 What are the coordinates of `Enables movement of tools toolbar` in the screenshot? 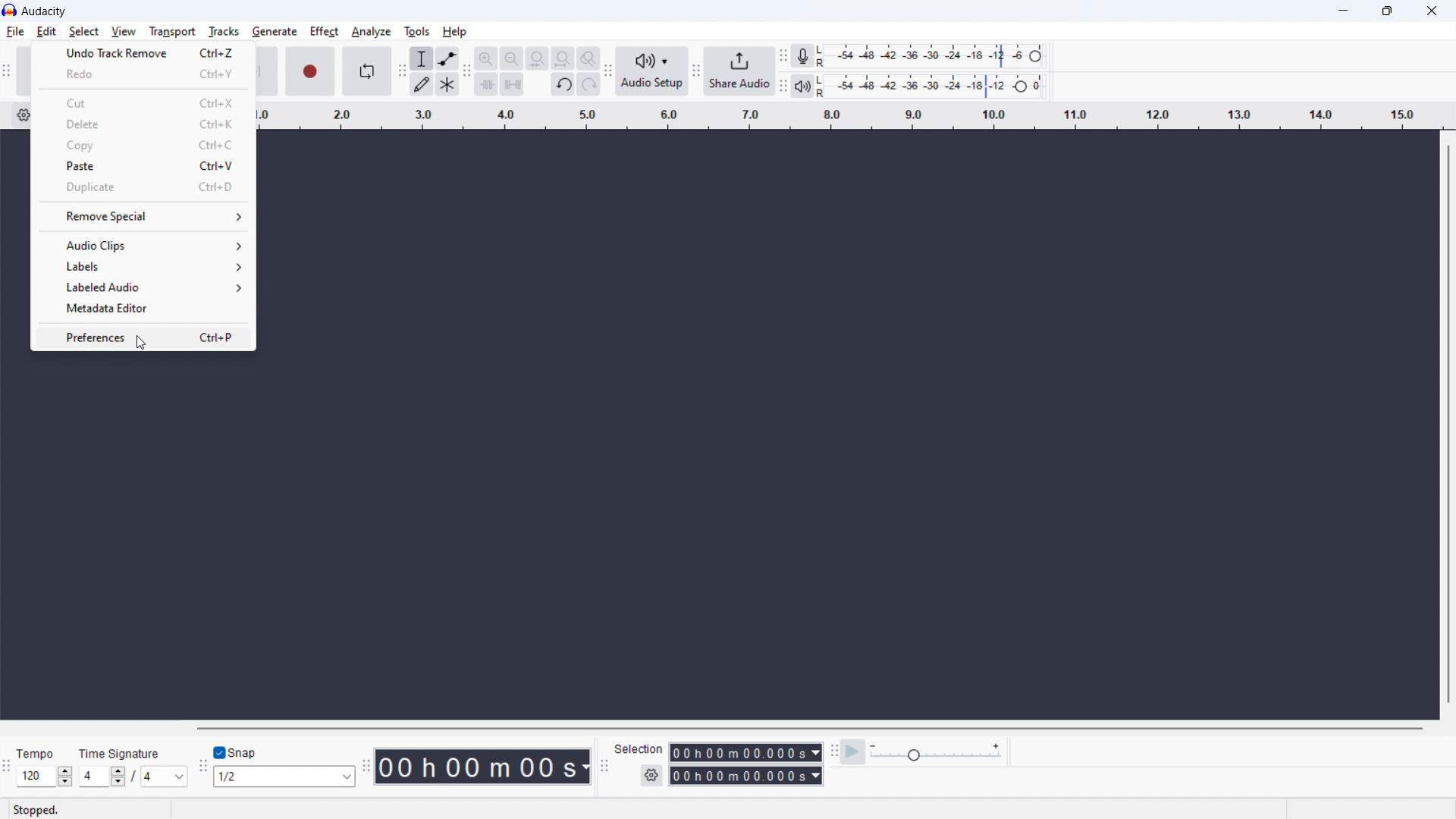 It's located at (403, 71).